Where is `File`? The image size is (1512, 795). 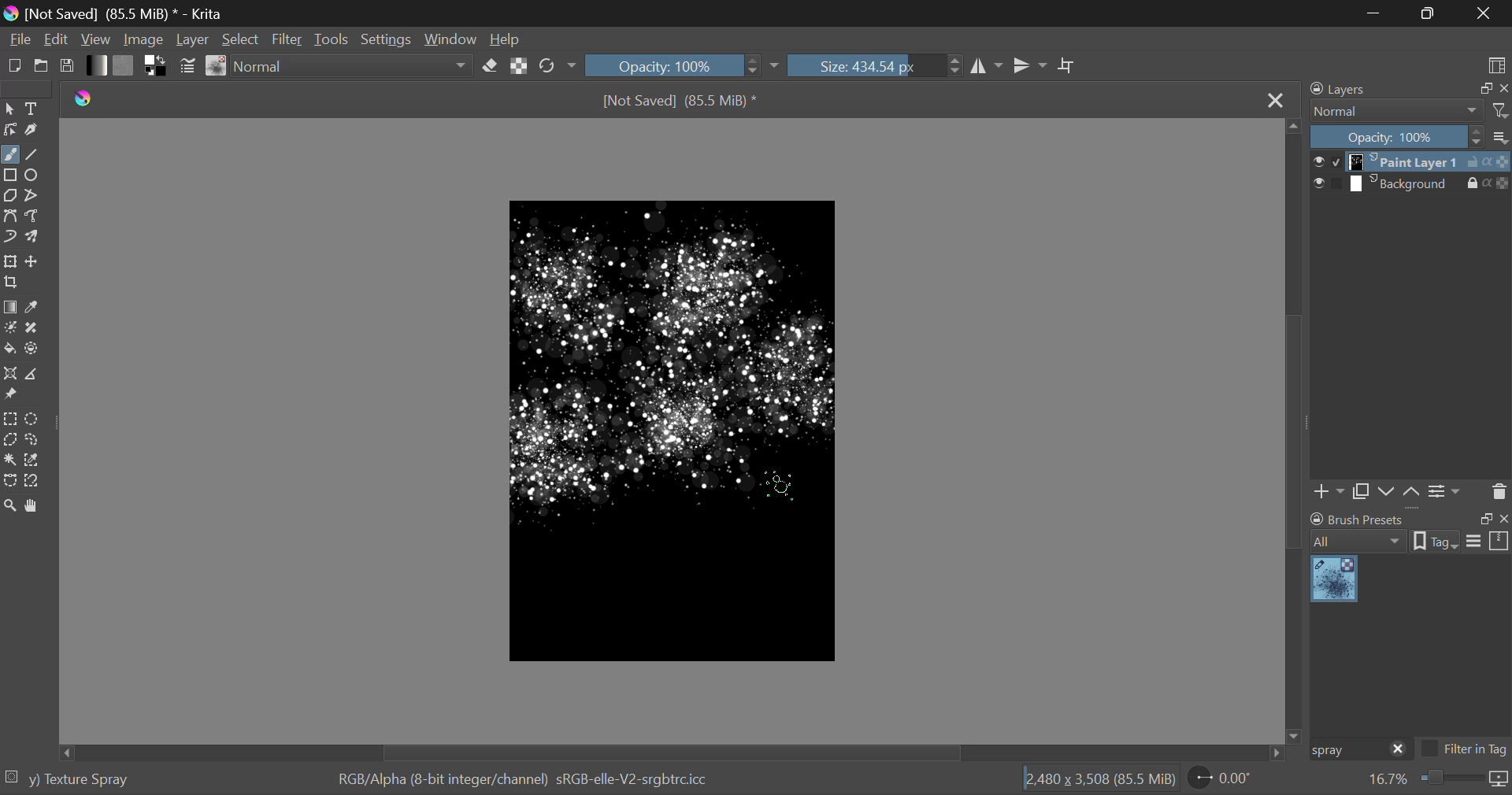
File is located at coordinates (19, 38).